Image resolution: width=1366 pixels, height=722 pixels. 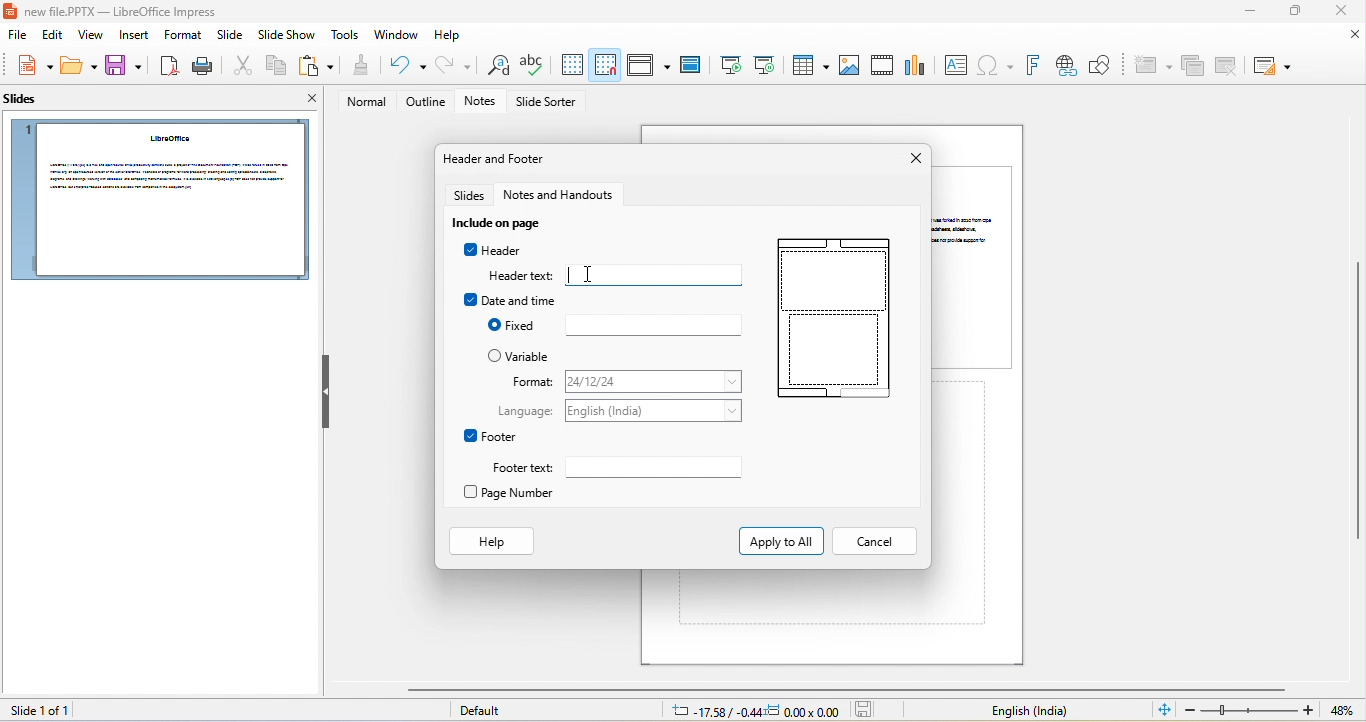 What do you see at coordinates (522, 356) in the screenshot?
I see `variable` at bounding box center [522, 356].